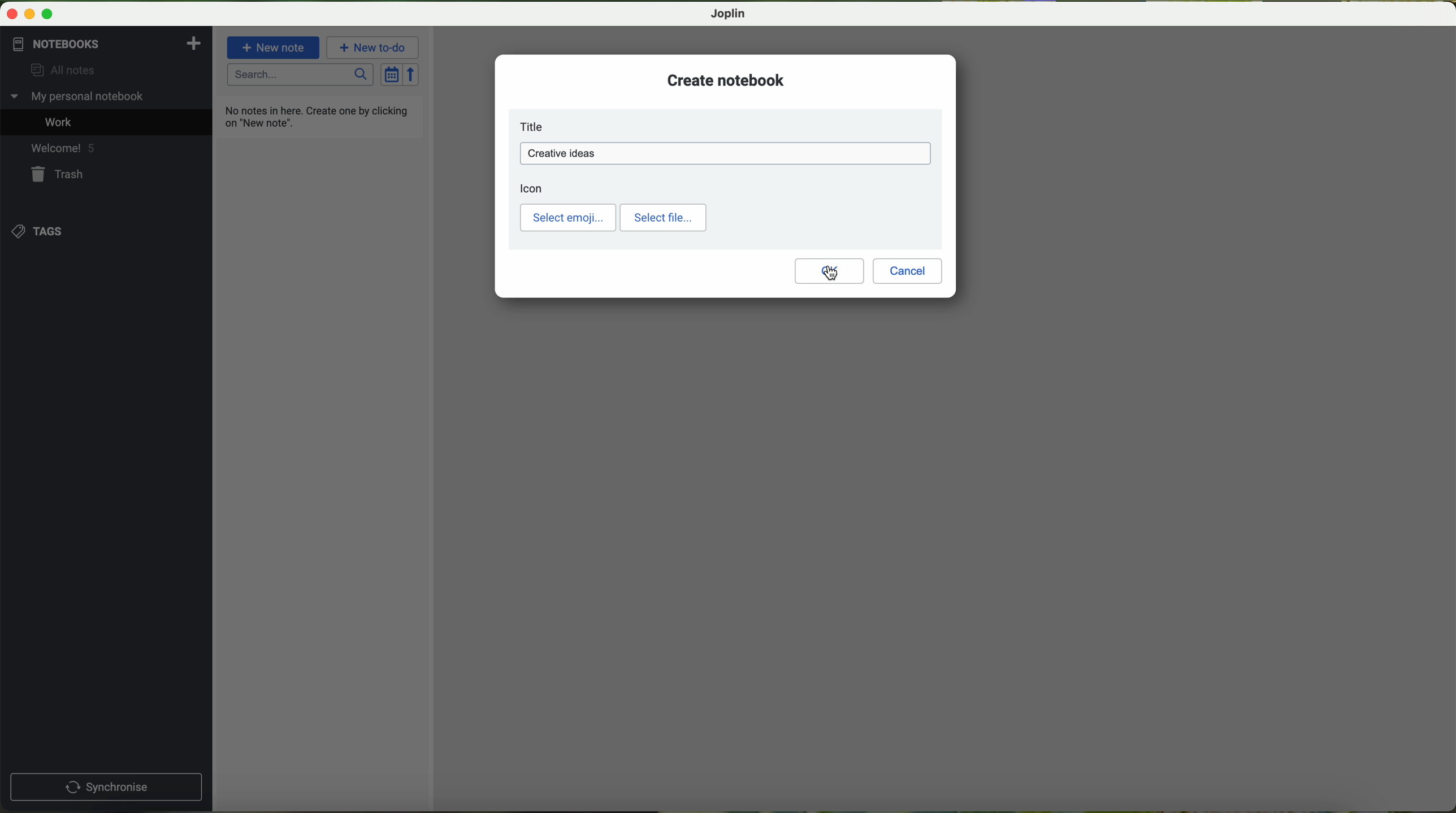  I want to click on select emoji, so click(568, 218).